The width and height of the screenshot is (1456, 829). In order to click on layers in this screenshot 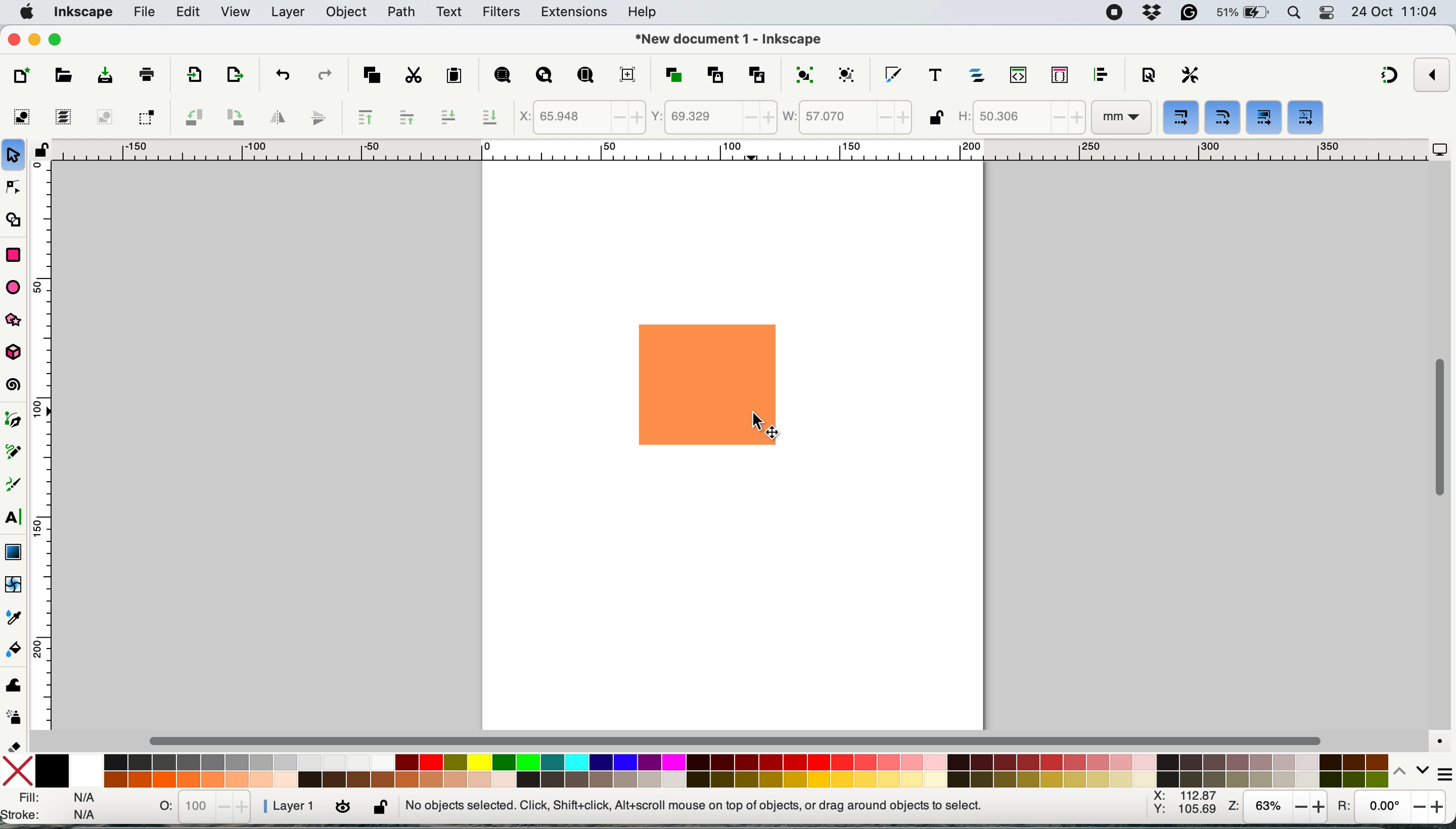, I will do `click(288, 12)`.